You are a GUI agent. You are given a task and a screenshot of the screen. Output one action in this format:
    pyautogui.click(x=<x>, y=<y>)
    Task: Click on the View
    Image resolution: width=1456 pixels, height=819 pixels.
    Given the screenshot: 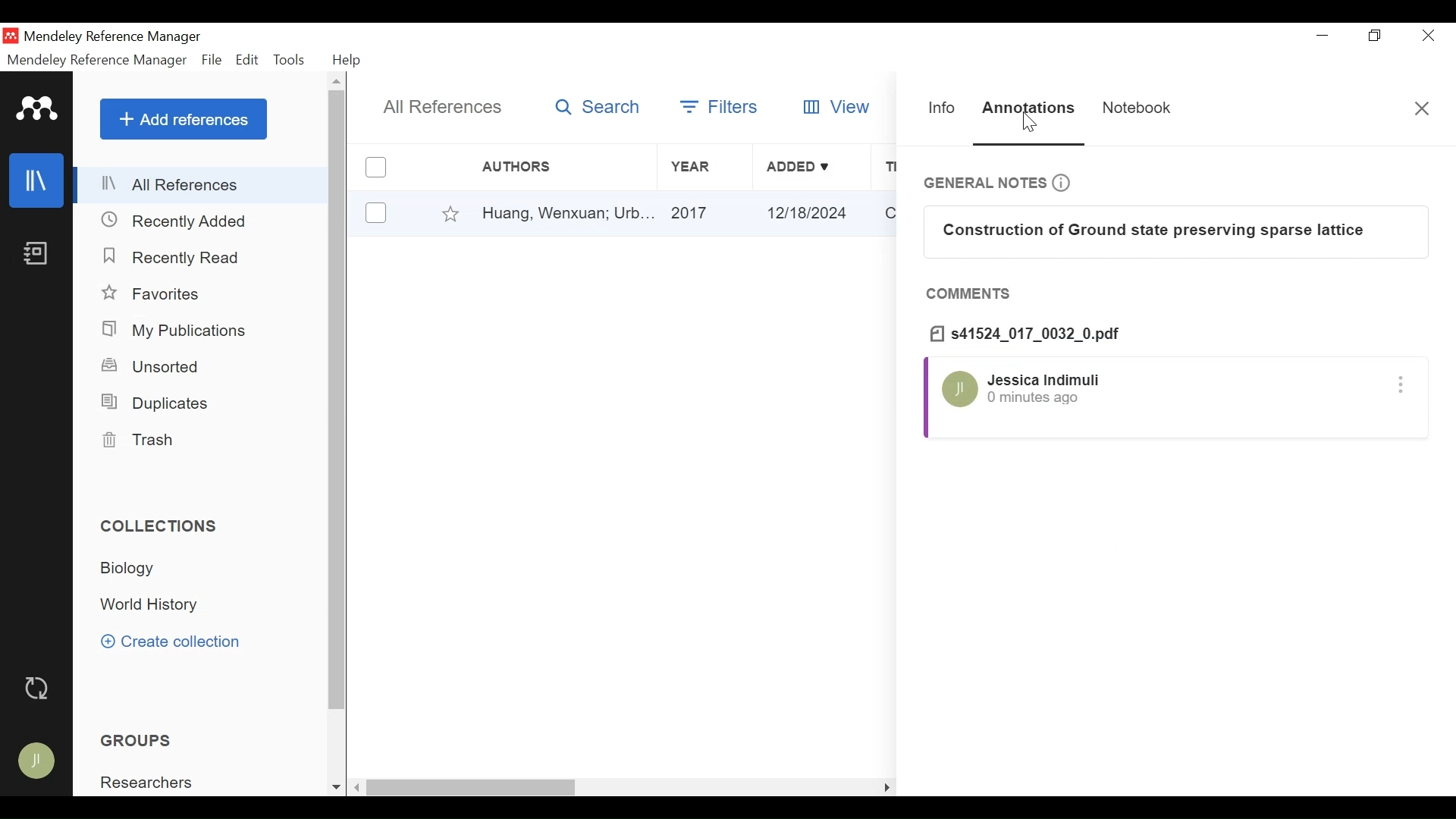 What is the action you would take?
    pyautogui.click(x=834, y=106)
    